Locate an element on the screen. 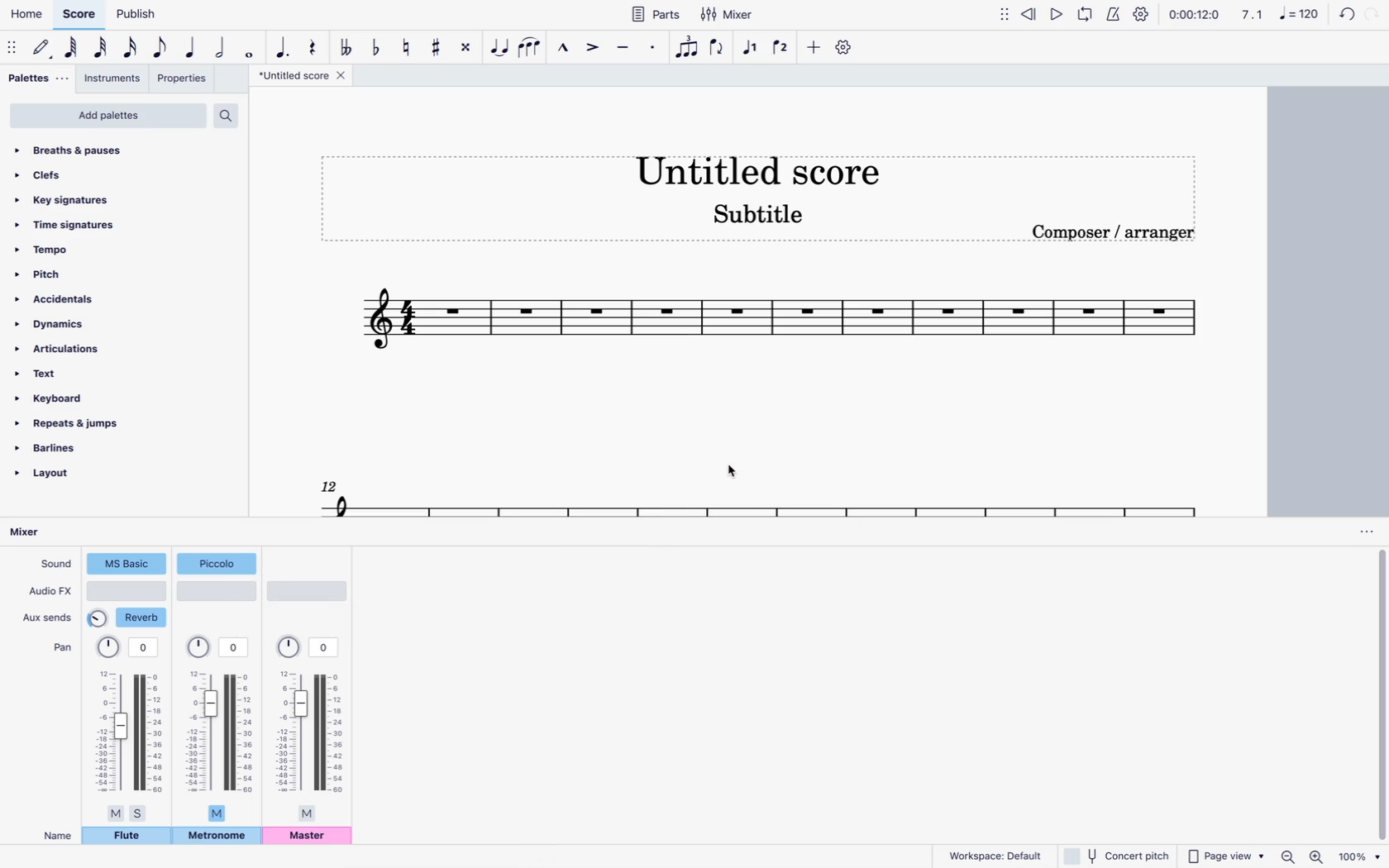  eight note is located at coordinates (161, 47).